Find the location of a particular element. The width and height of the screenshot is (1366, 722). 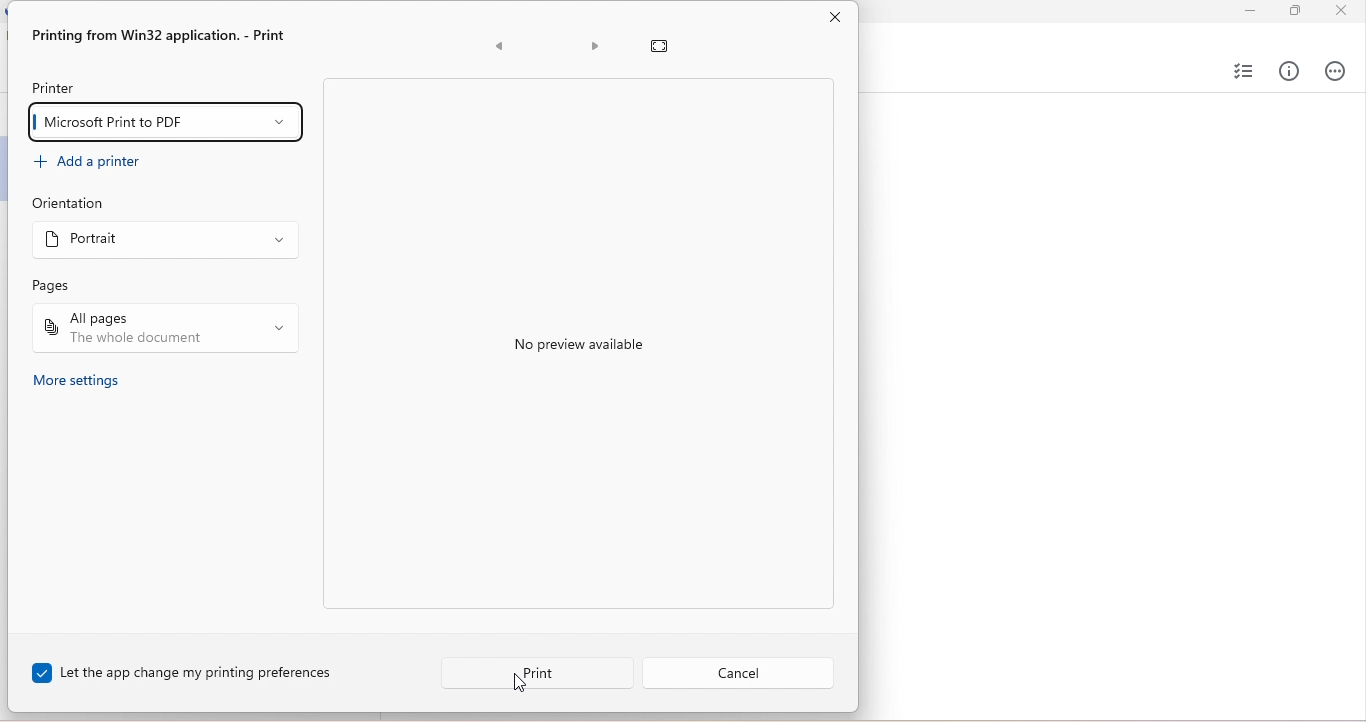

more settings is located at coordinates (82, 381).